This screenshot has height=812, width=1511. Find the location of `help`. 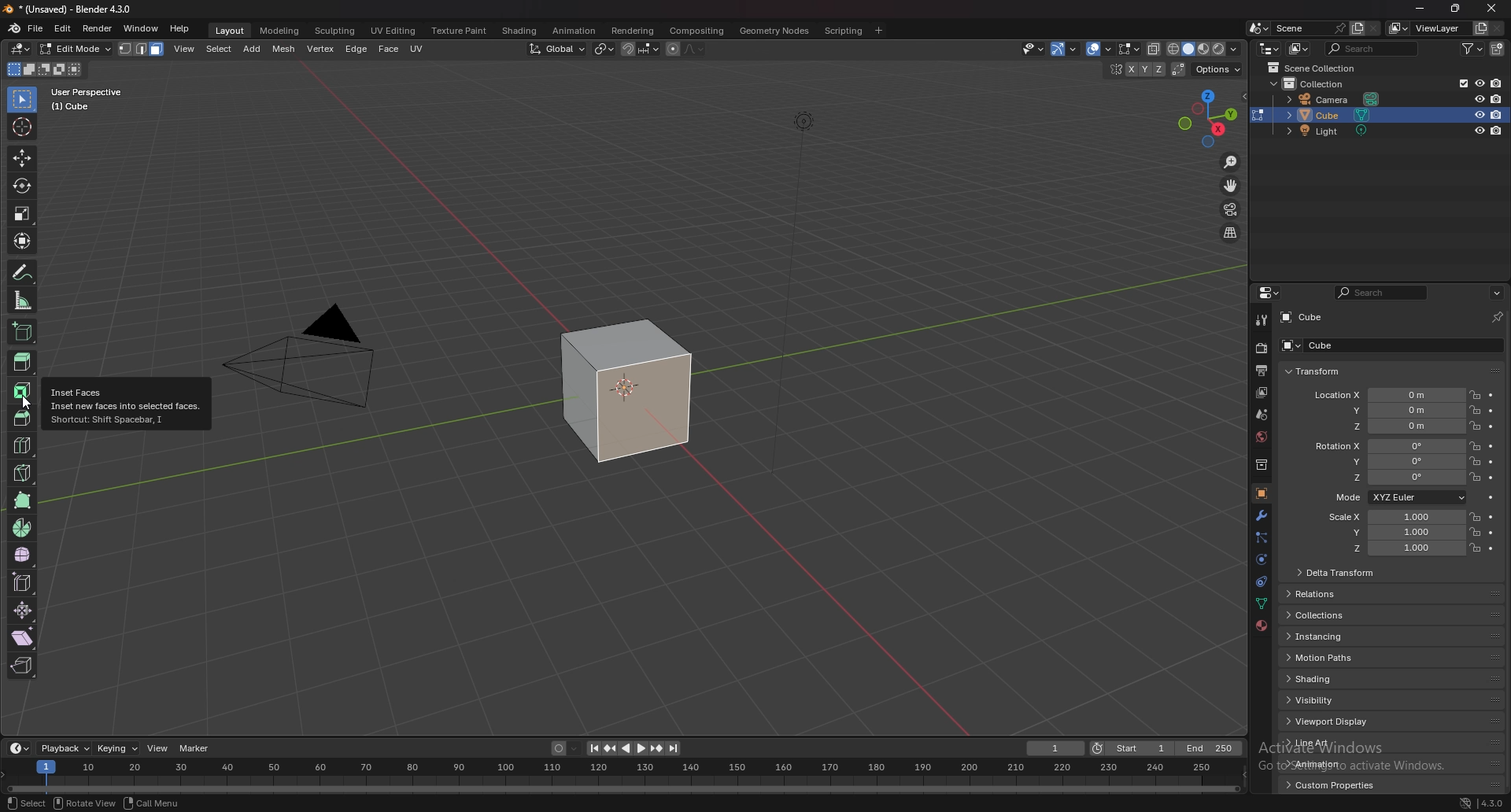

help is located at coordinates (180, 28).